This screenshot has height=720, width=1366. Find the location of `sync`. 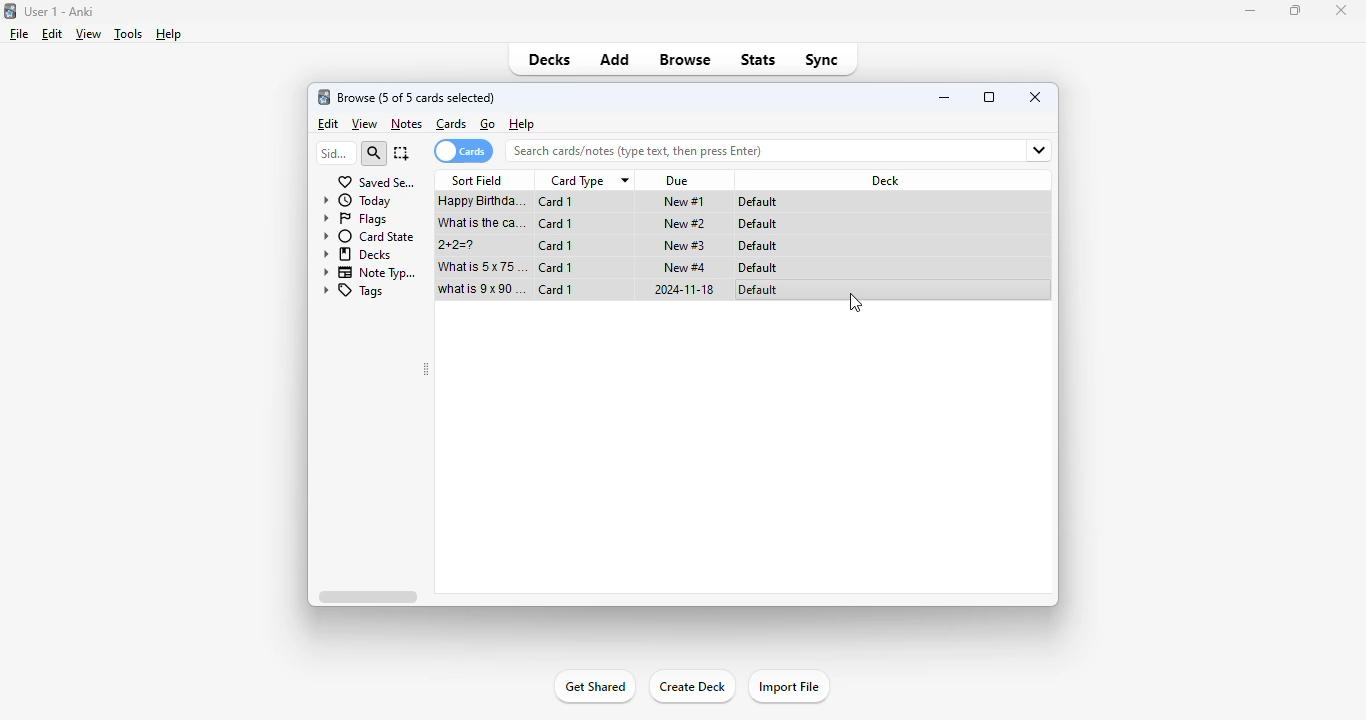

sync is located at coordinates (823, 60).